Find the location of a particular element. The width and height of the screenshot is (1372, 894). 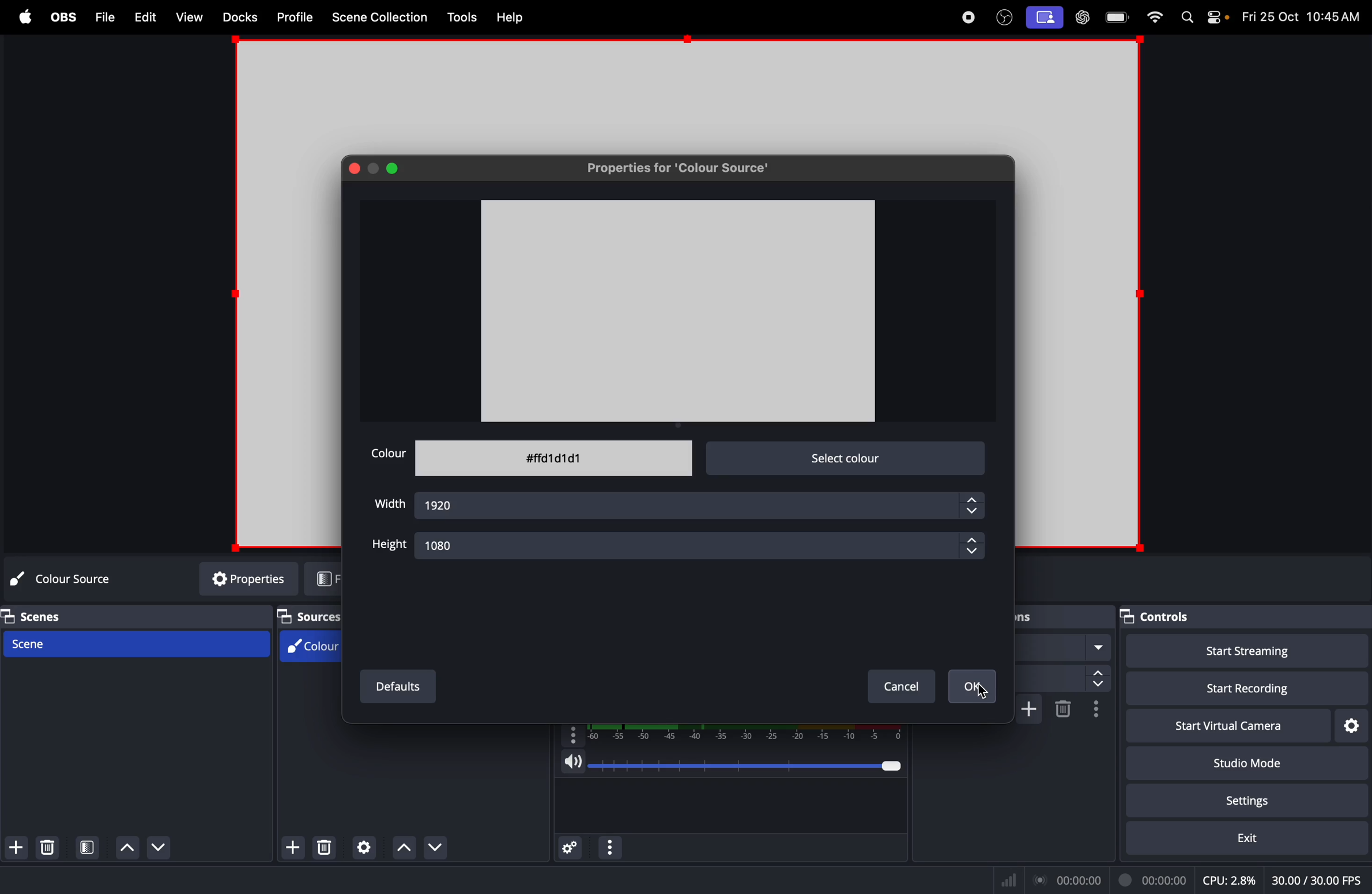

start recording is located at coordinates (1234, 686).